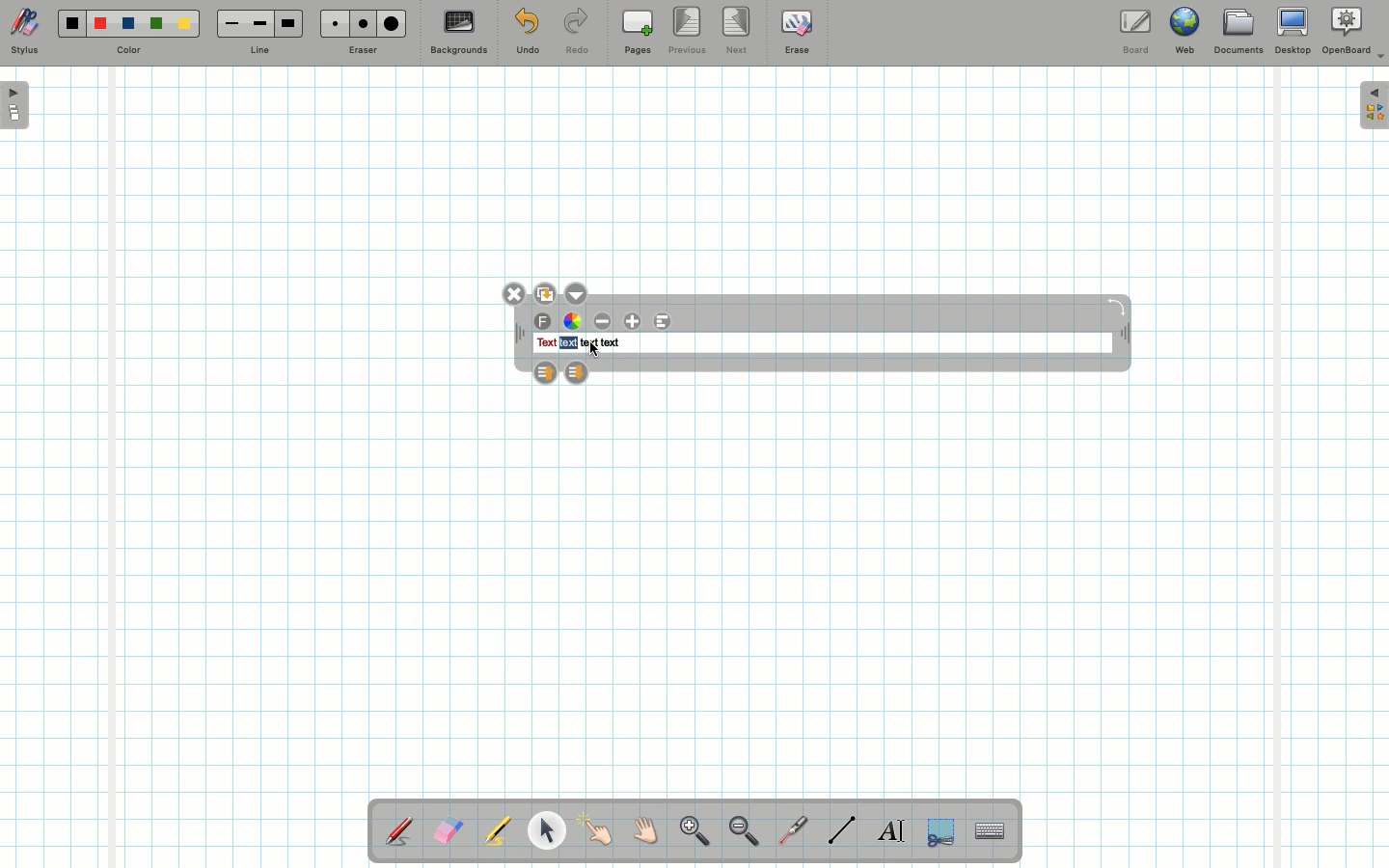 Image resolution: width=1389 pixels, height=868 pixels. I want to click on Next, so click(738, 29).